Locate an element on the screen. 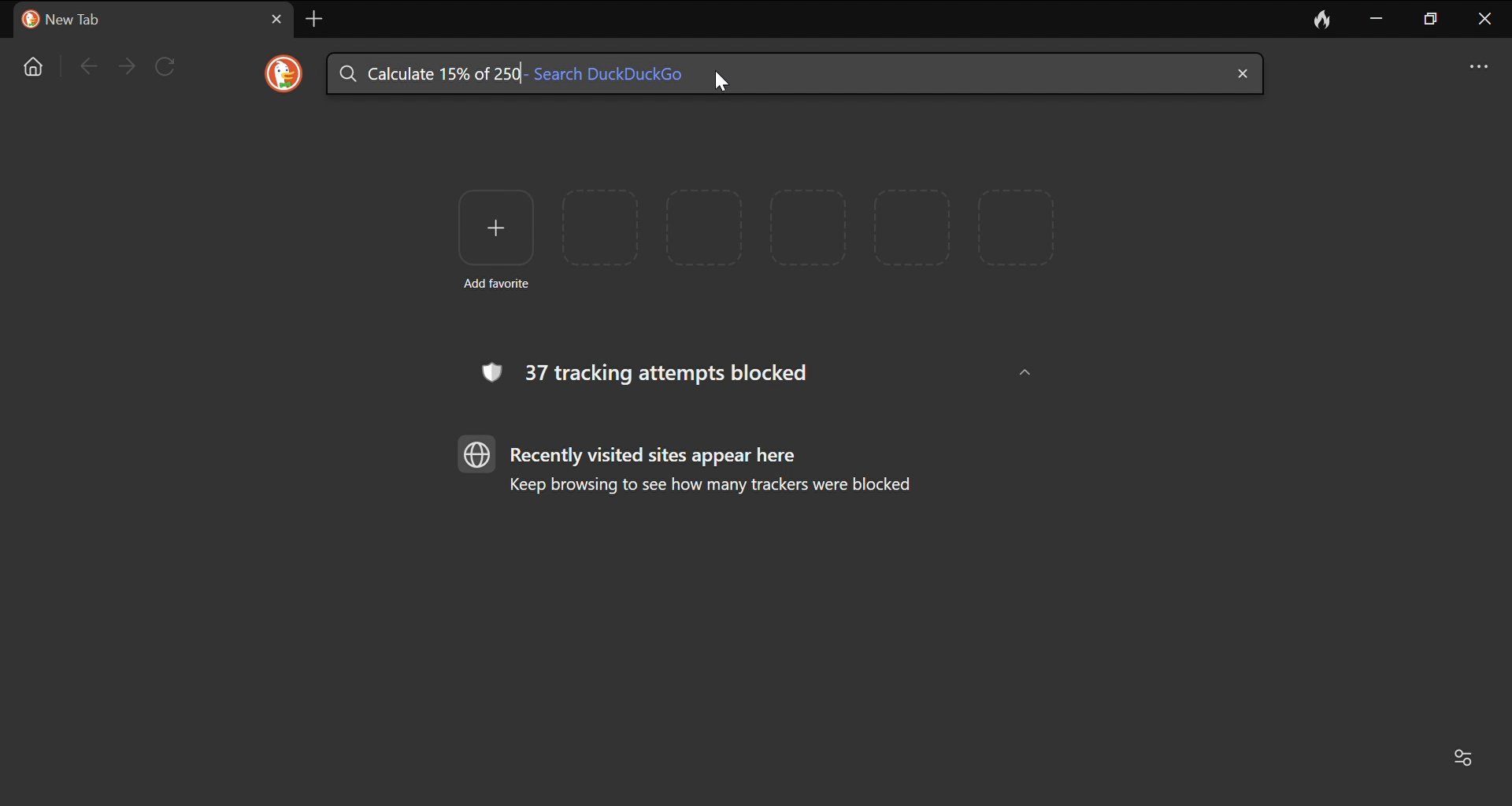 This screenshot has width=1512, height=806. Go back is located at coordinates (86, 65).